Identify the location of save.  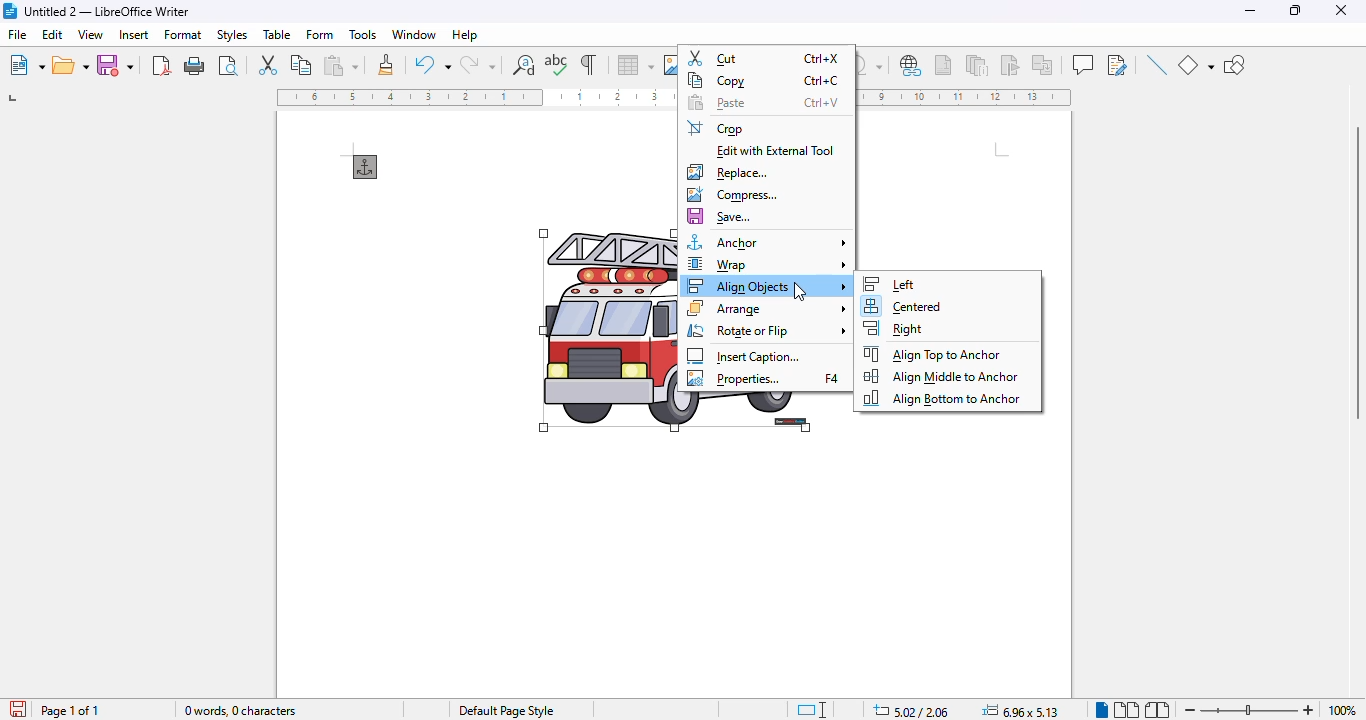
(720, 217).